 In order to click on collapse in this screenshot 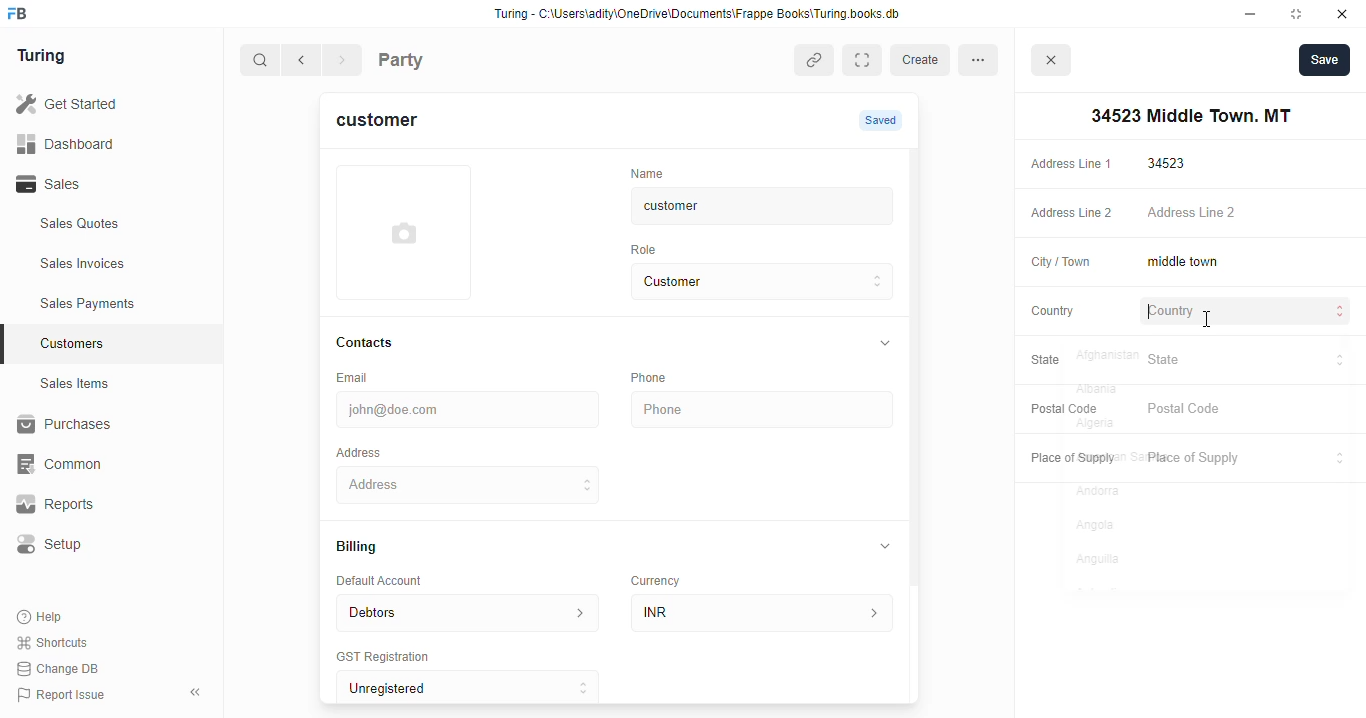, I will do `click(883, 344)`.